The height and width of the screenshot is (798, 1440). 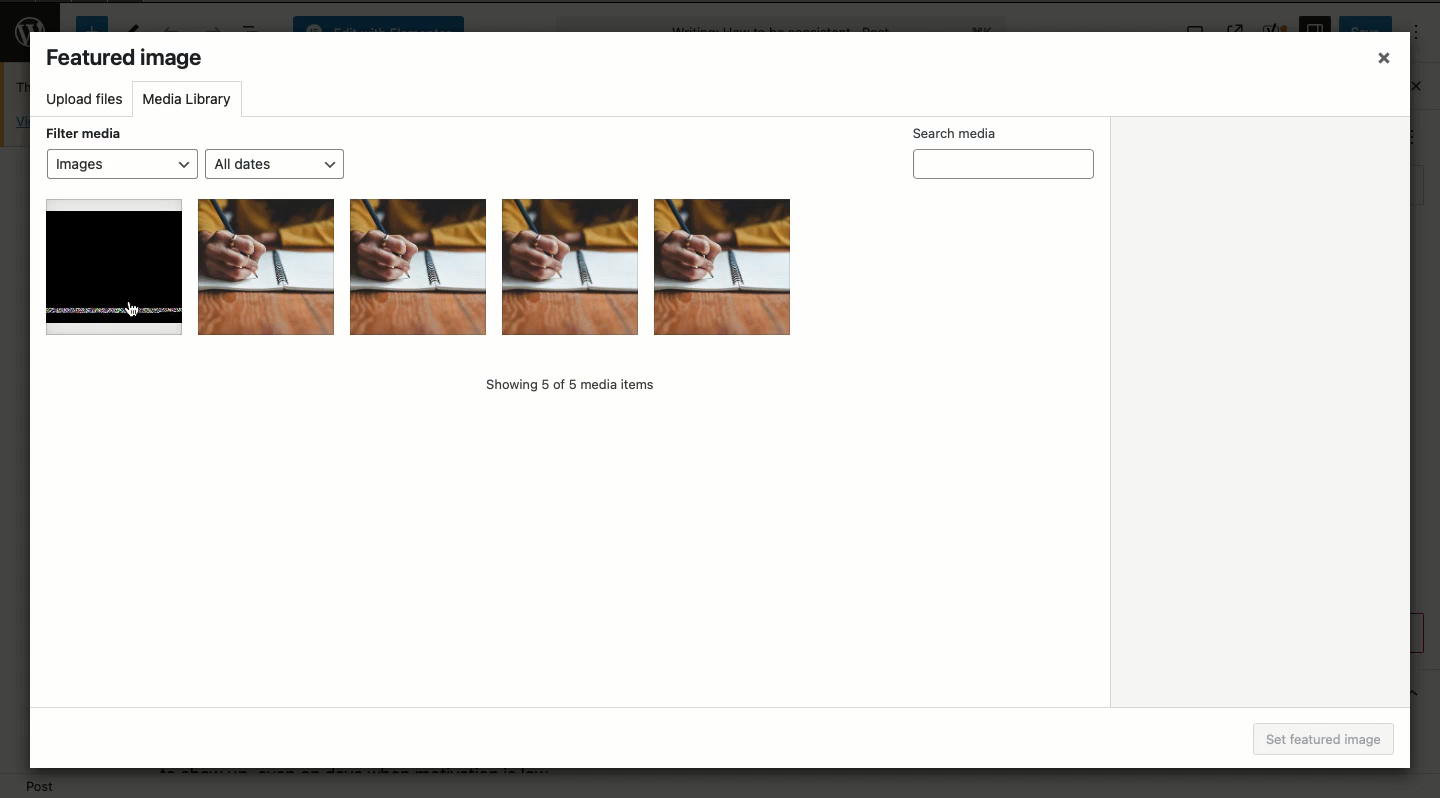 I want to click on Post, so click(x=42, y=787).